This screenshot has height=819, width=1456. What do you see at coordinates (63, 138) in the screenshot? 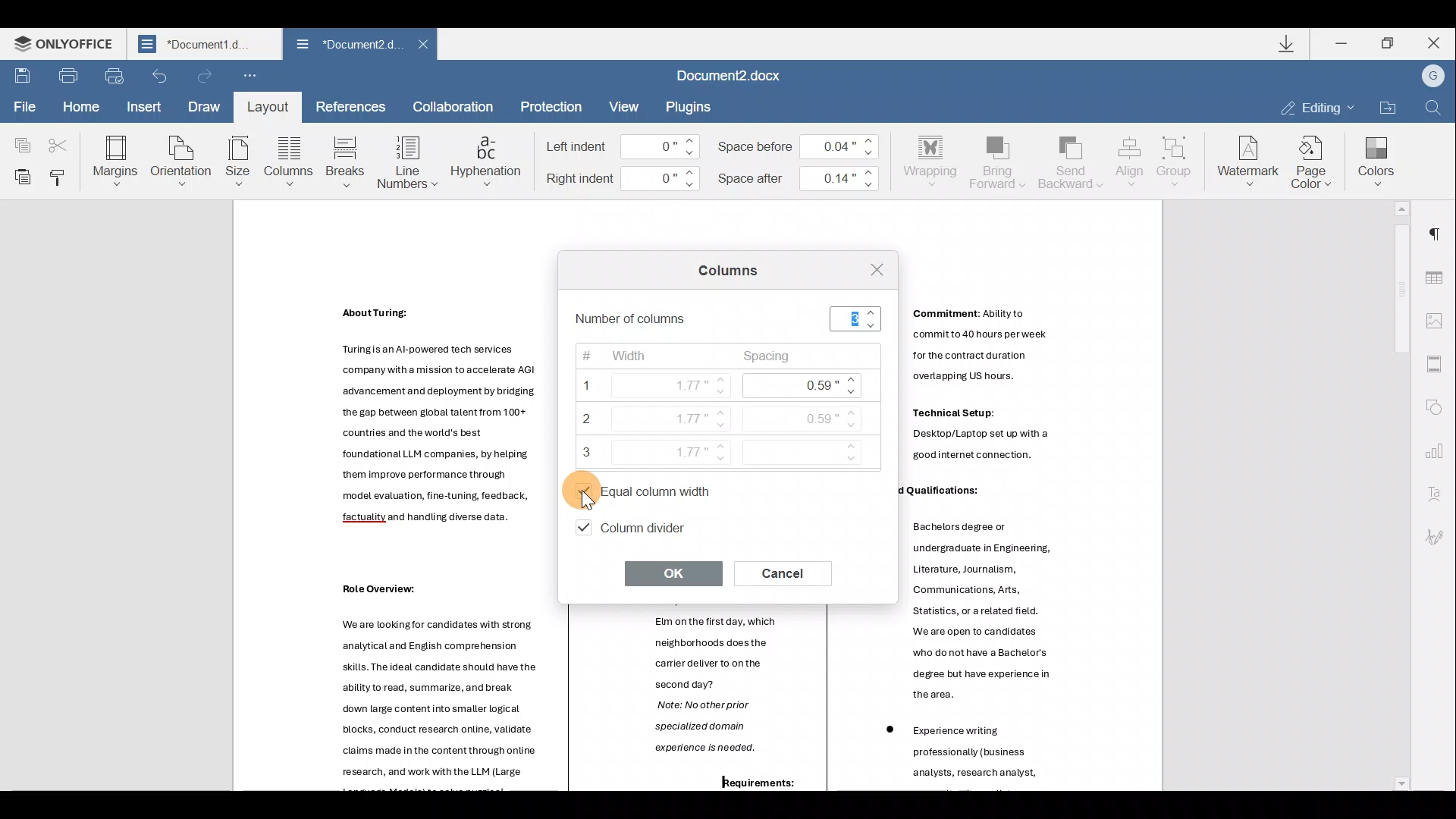
I see `Cut` at bounding box center [63, 138].